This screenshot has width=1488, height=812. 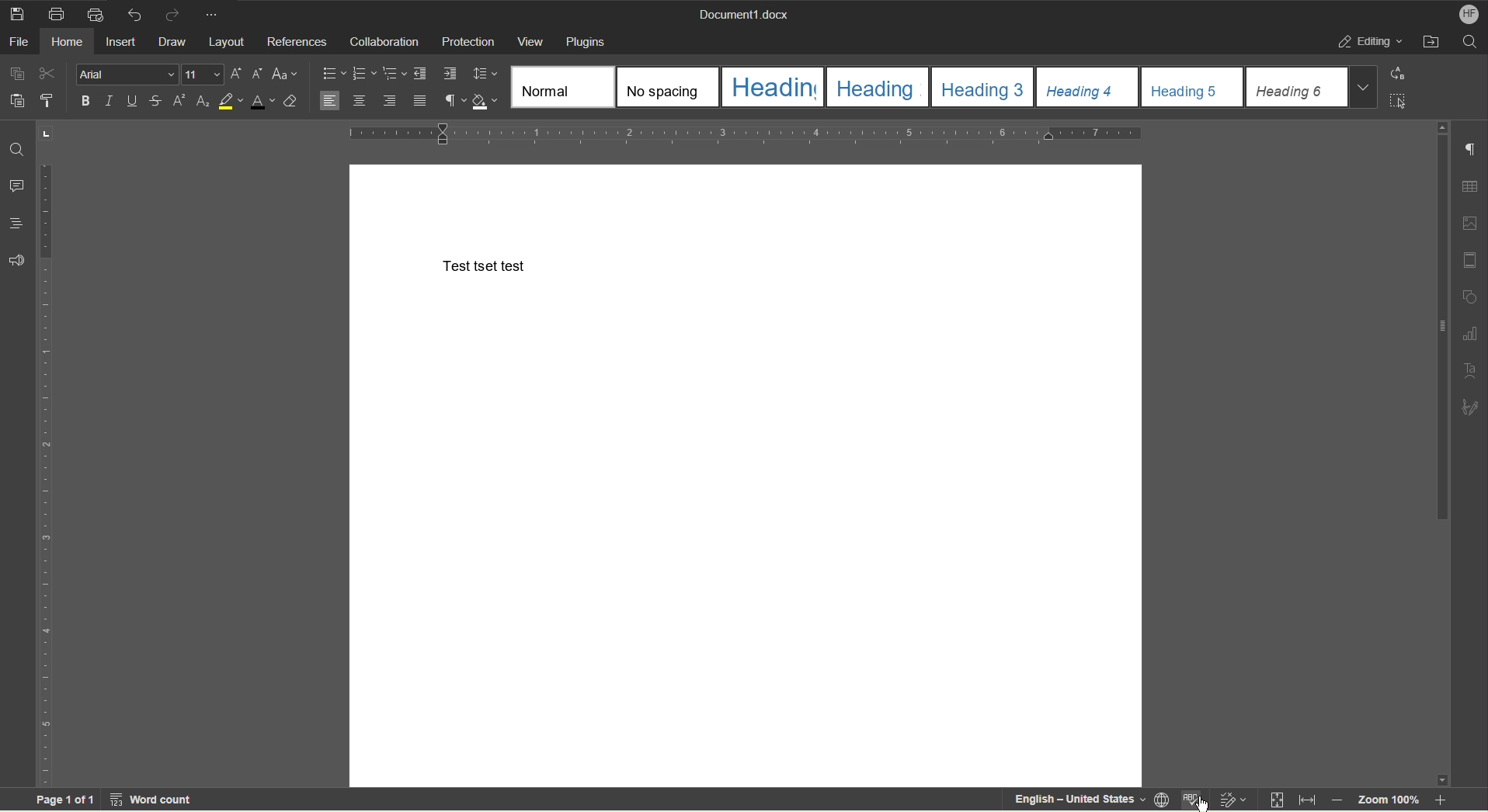 What do you see at coordinates (1305, 802) in the screenshot?
I see `Fit to Width` at bounding box center [1305, 802].